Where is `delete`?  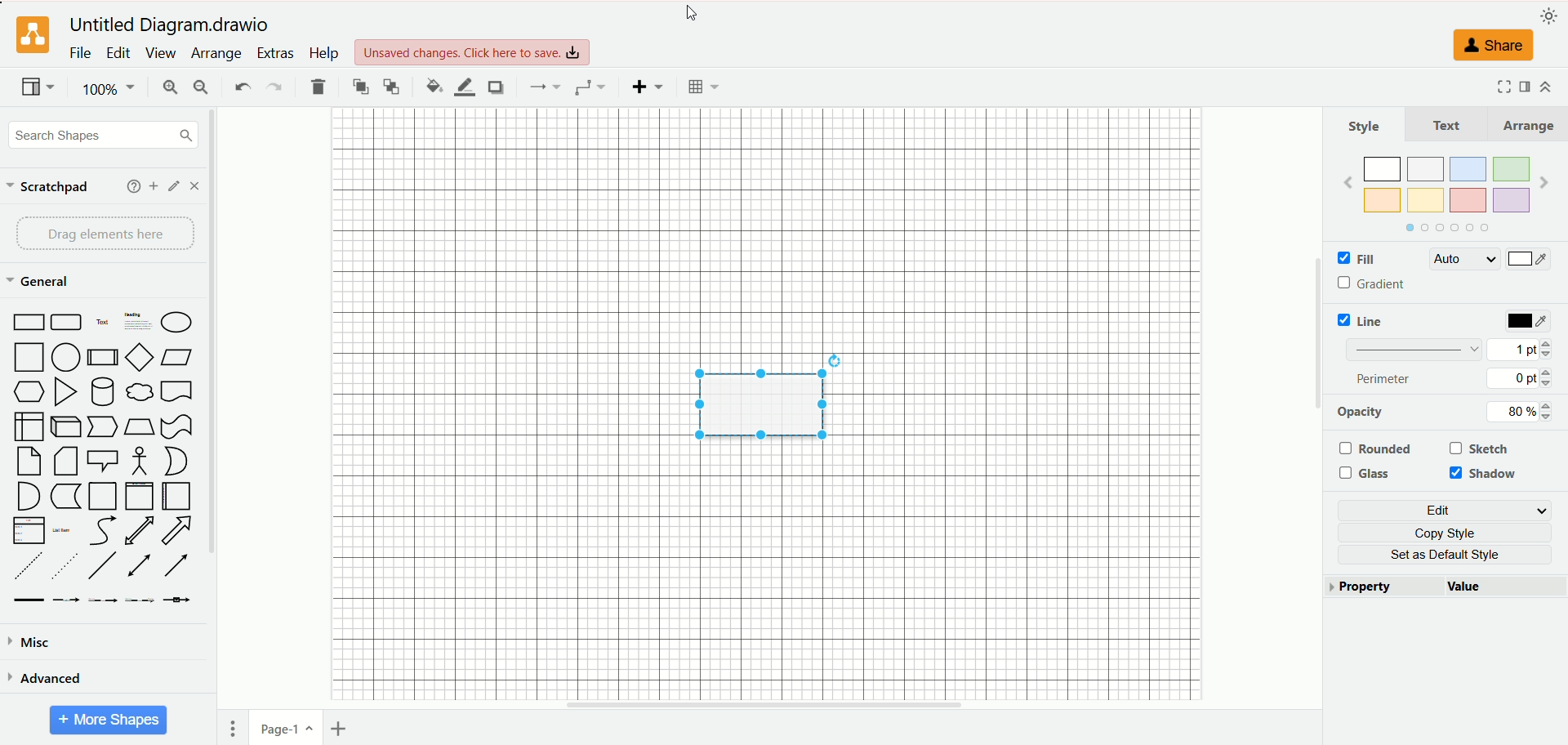 delete is located at coordinates (318, 87).